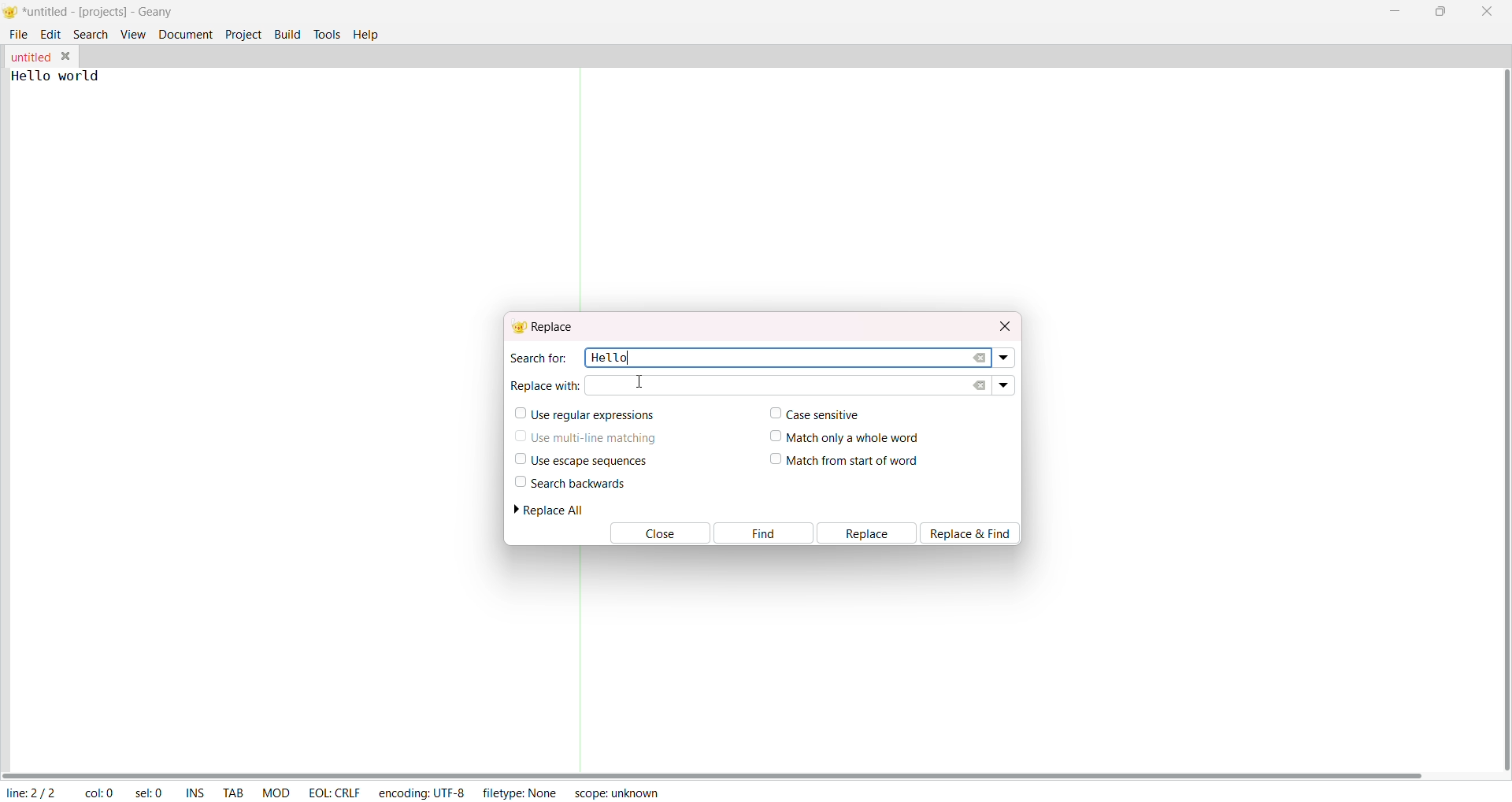 Image resolution: width=1512 pixels, height=802 pixels. What do you see at coordinates (195, 794) in the screenshot?
I see `ins` at bounding box center [195, 794].